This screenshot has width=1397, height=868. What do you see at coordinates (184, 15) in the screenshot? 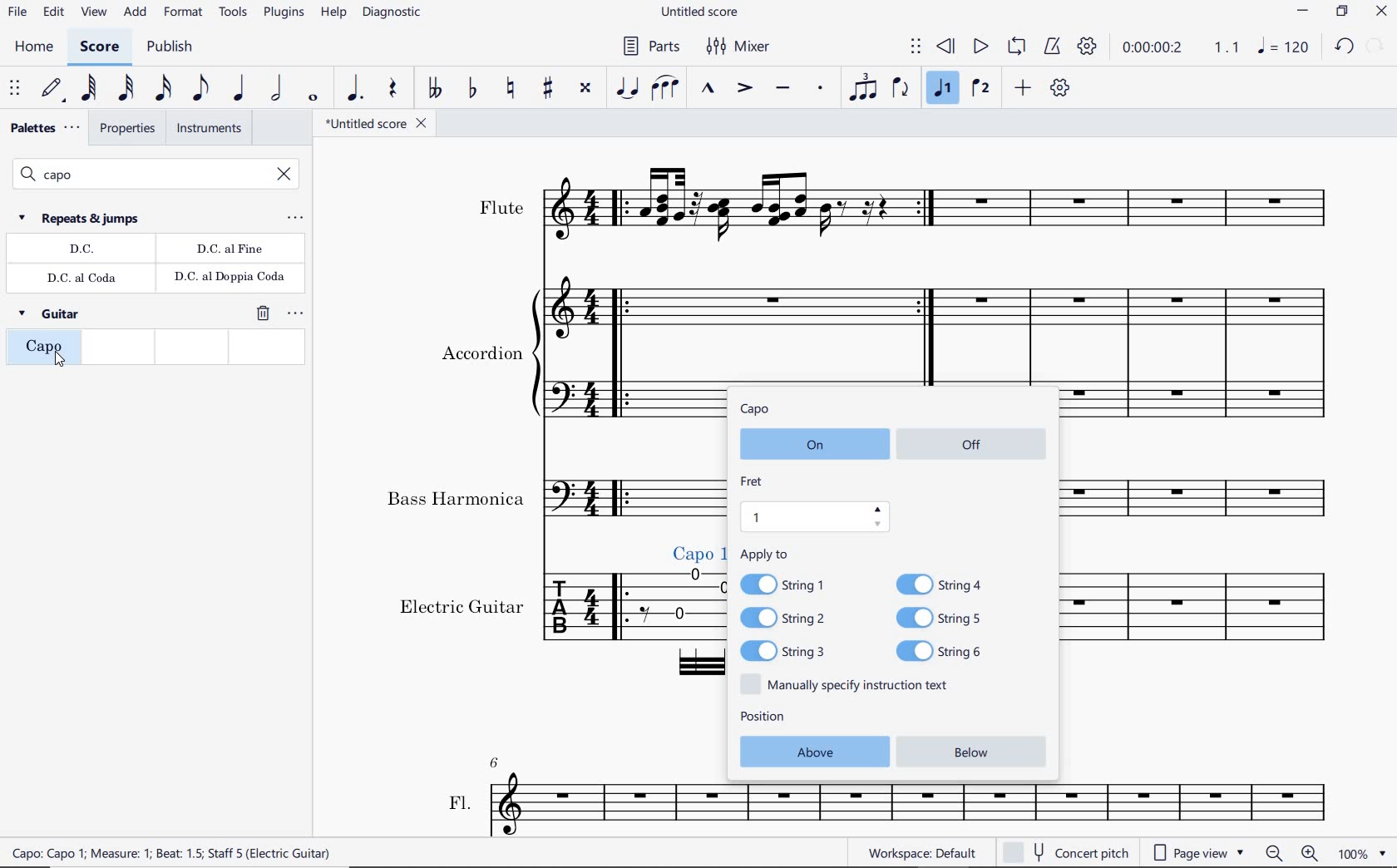
I see `format` at bounding box center [184, 15].